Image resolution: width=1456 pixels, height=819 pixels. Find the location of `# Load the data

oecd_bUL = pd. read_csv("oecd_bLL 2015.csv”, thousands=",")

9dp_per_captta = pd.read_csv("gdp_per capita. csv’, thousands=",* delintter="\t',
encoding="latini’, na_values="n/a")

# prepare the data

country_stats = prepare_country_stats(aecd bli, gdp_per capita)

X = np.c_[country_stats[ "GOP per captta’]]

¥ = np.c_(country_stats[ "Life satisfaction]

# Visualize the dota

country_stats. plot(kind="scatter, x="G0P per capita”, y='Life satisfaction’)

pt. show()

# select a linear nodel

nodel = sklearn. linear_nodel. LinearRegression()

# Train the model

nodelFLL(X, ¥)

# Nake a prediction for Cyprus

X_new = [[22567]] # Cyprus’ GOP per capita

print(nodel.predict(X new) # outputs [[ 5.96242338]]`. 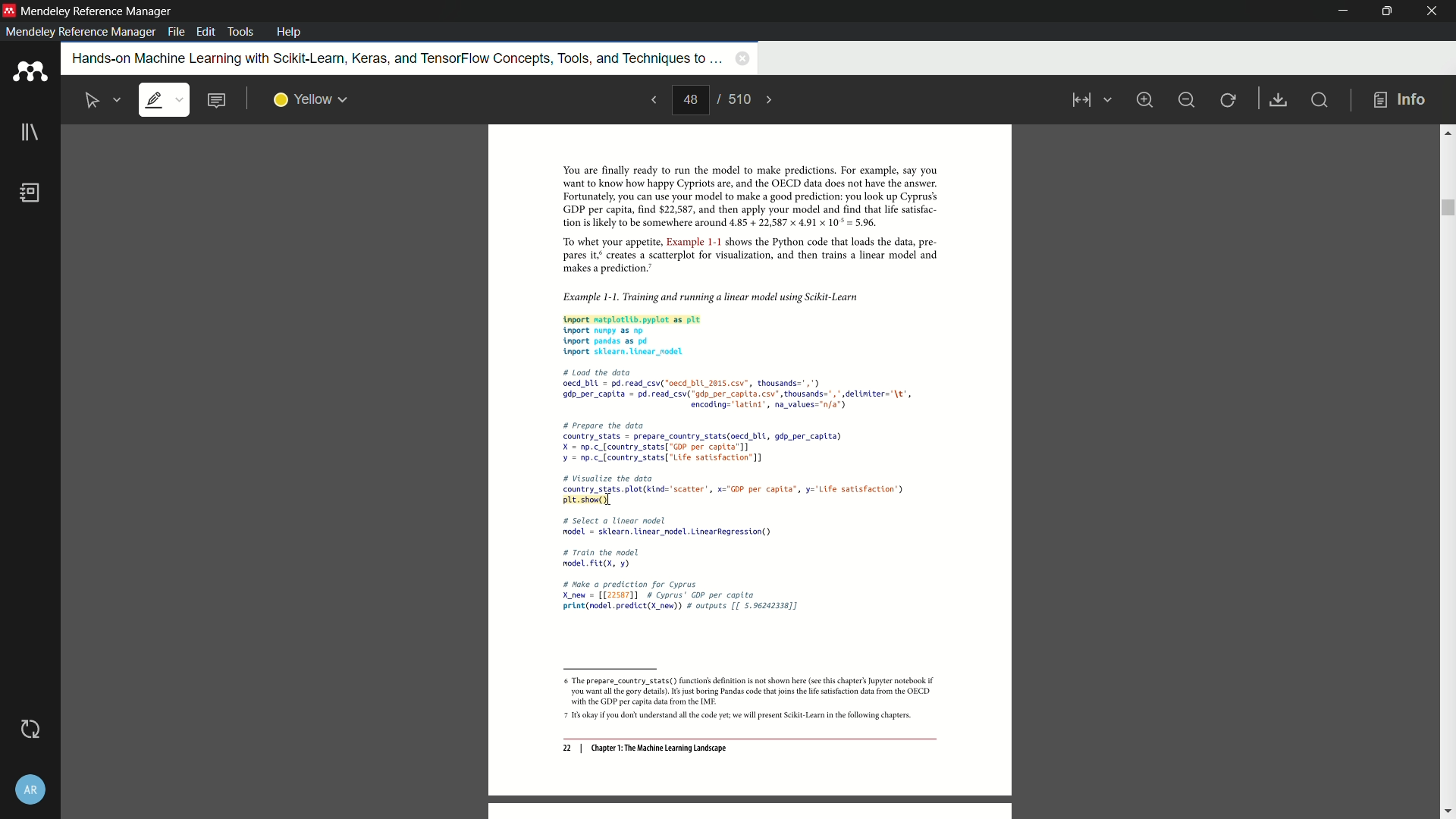

# Load the data

oecd_bUL = pd. read_csv("oecd_bLL 2015.csv”, thousands=",")

9dp_per_captta = pd.read_csv("gdp_per capita. csv’, thousands=",* delintter="\t',
encoding="latini’, na_values="n/a")

# prepare the data

country_stats = prepare_country_stats(aecd bli, gdp_per capita)

X = np.c_[country_stats[ "GOP per captta’]]

¥ = np.c_(country_stats[ "Life satisfaction]

# Visualize the dota

country_stats. plot(kind="scatter, x="G0P per capita”, y='Life satisfaction’)

pt. show()

# select a linear nodel

nodel = sklearn. linear_nodel. LinearRegression()

# Train the model

nodelFLL(X, ¥)

# Nake a prediction for Cyprus

X_new = [[22567]] # Cyprus’ GOP per capita

print(nodel.predict(X new) # outputs [[ 5.96242338]] is located at coordinates (741, 495).